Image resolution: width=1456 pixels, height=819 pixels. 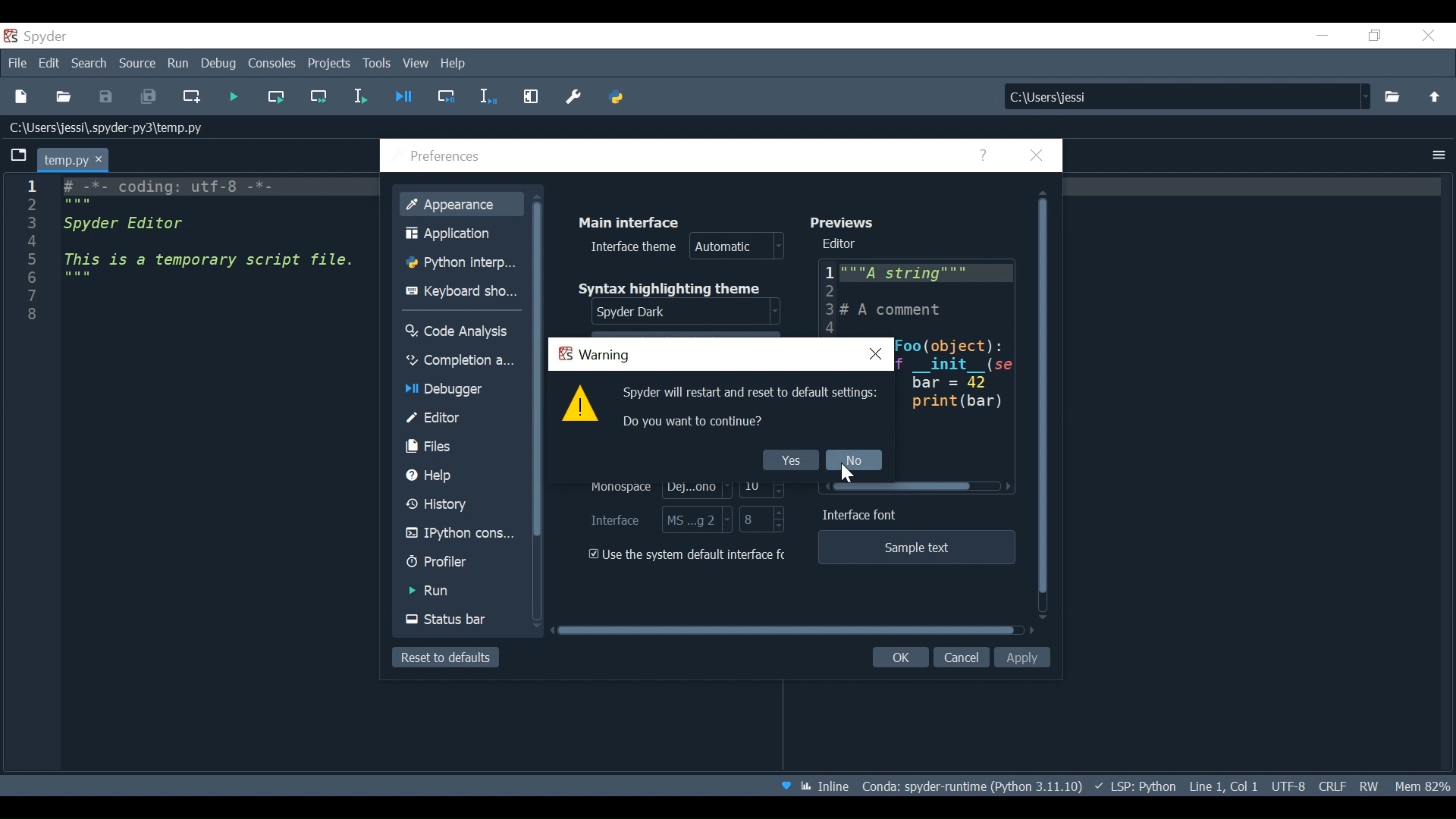 I want to click on Select File, so click(x=1391, y=96).